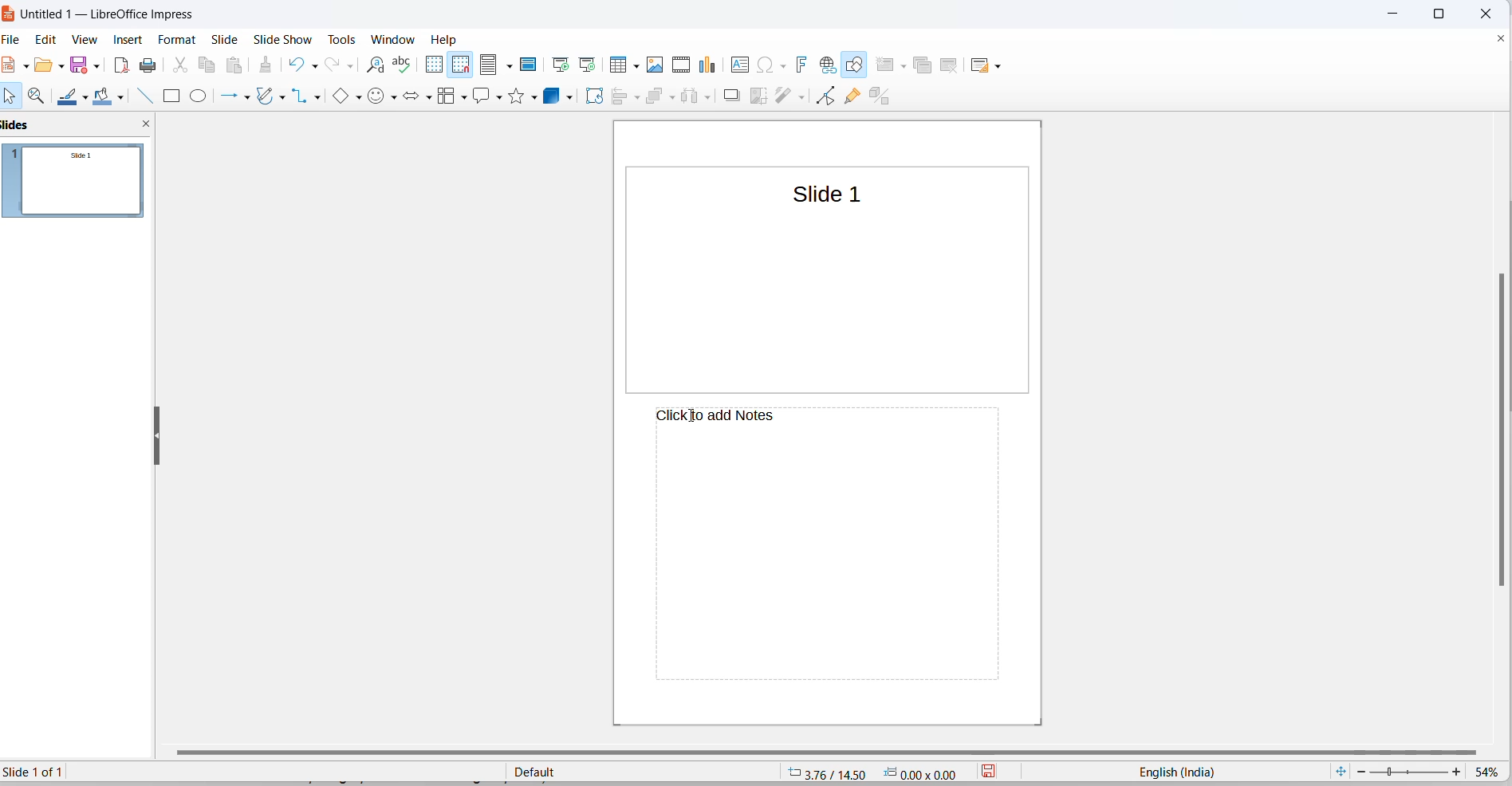  Describe the element at coordinates (41, 96) in the screenshot. I see `zoom and pan` at that location.